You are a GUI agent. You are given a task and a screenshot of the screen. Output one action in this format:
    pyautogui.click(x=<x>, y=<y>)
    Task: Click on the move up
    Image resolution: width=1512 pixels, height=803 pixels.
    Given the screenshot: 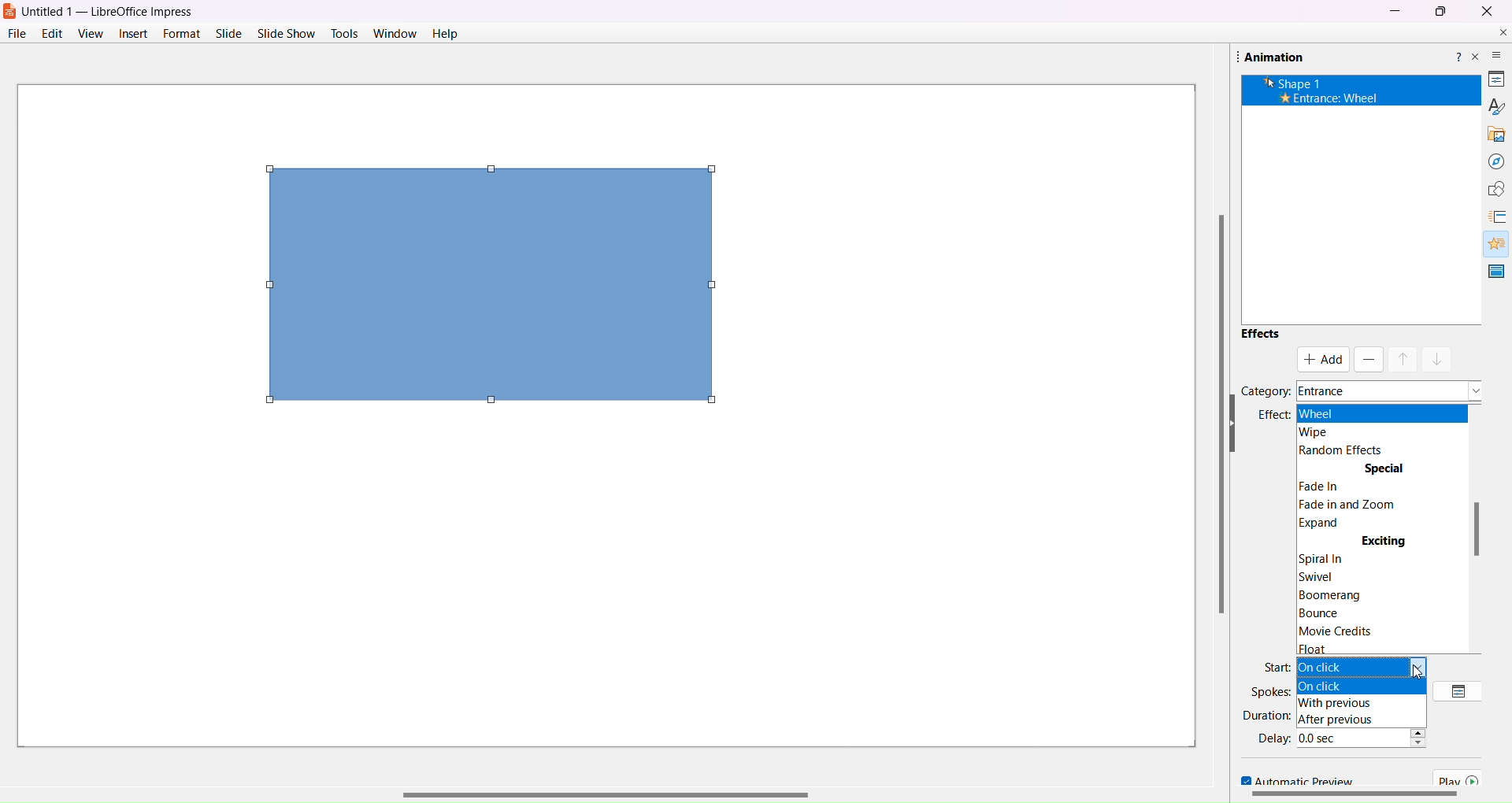 What is the action you would take?
    pyautogui.click(x=1403, y=359)
    